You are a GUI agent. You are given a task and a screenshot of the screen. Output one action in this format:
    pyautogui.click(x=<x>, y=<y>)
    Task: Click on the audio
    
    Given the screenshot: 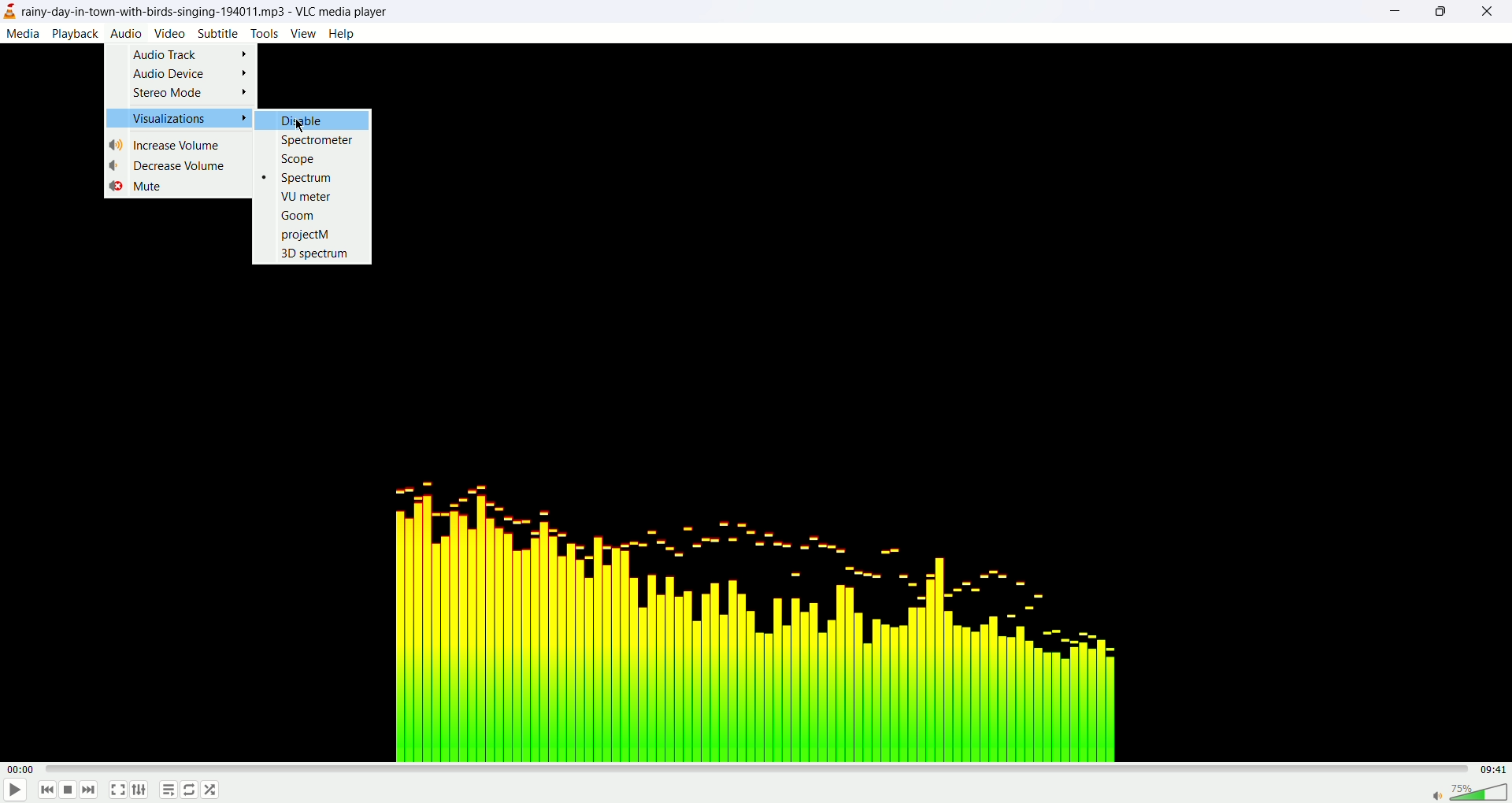 What is the action you would take?
    pyautogui.click(x=125, y=31)
    